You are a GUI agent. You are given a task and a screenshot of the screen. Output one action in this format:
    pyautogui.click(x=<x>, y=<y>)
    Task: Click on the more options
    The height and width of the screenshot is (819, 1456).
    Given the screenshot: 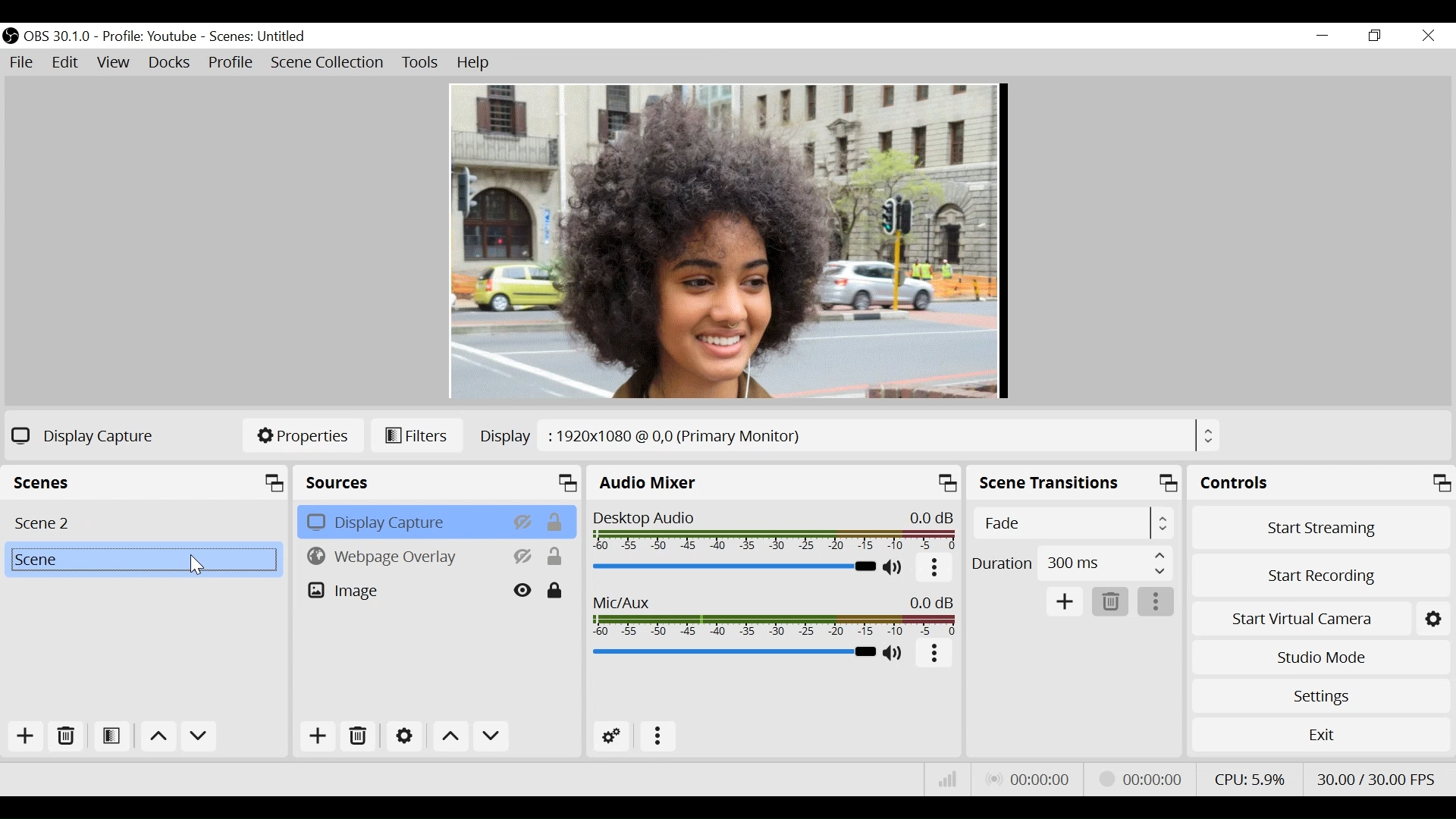 What is the action you would take?
    pyautogui.click(x=654, y=735)
    